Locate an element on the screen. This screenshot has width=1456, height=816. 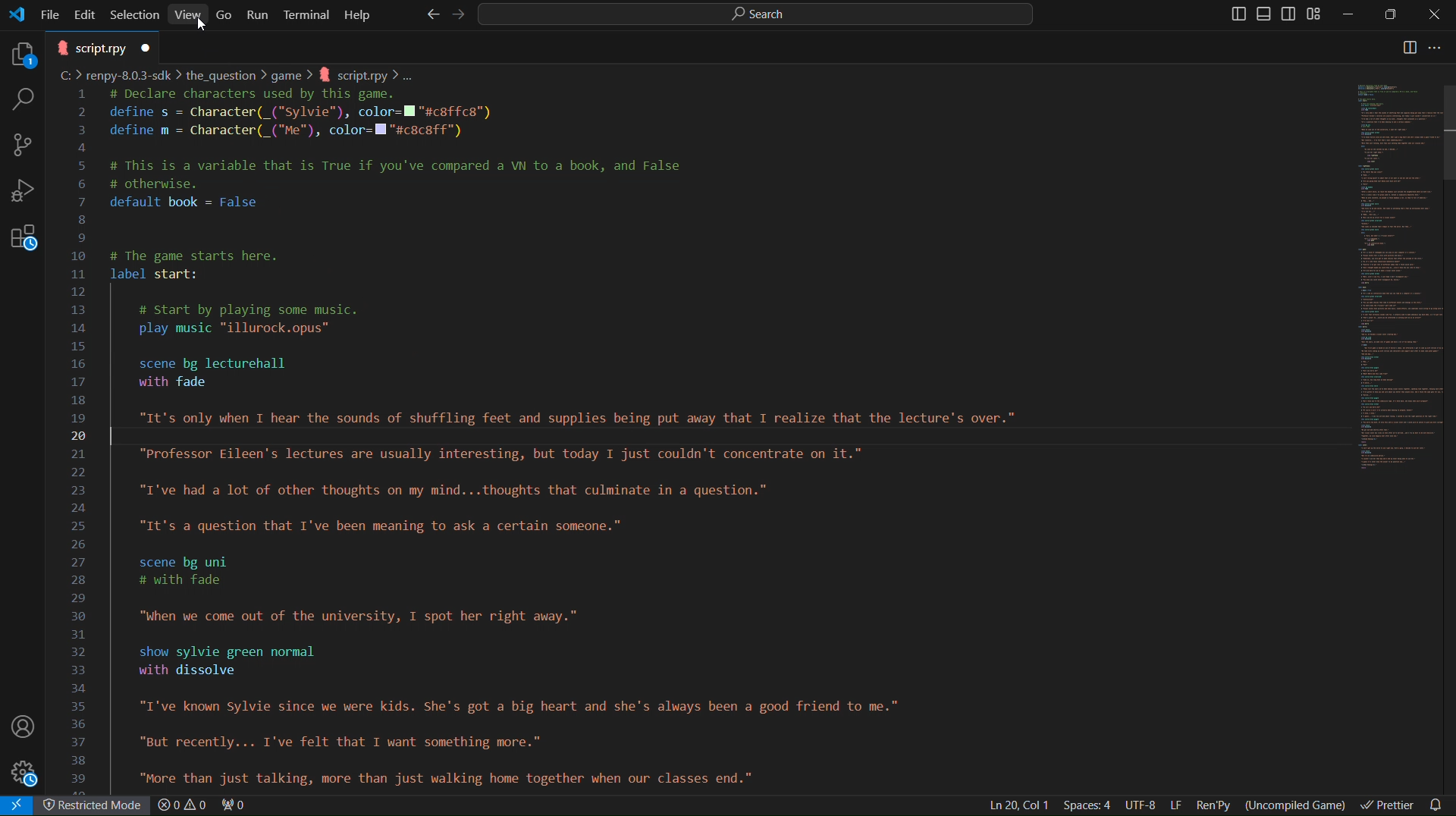
Customize Layout is located at coordinates (1319, 16).